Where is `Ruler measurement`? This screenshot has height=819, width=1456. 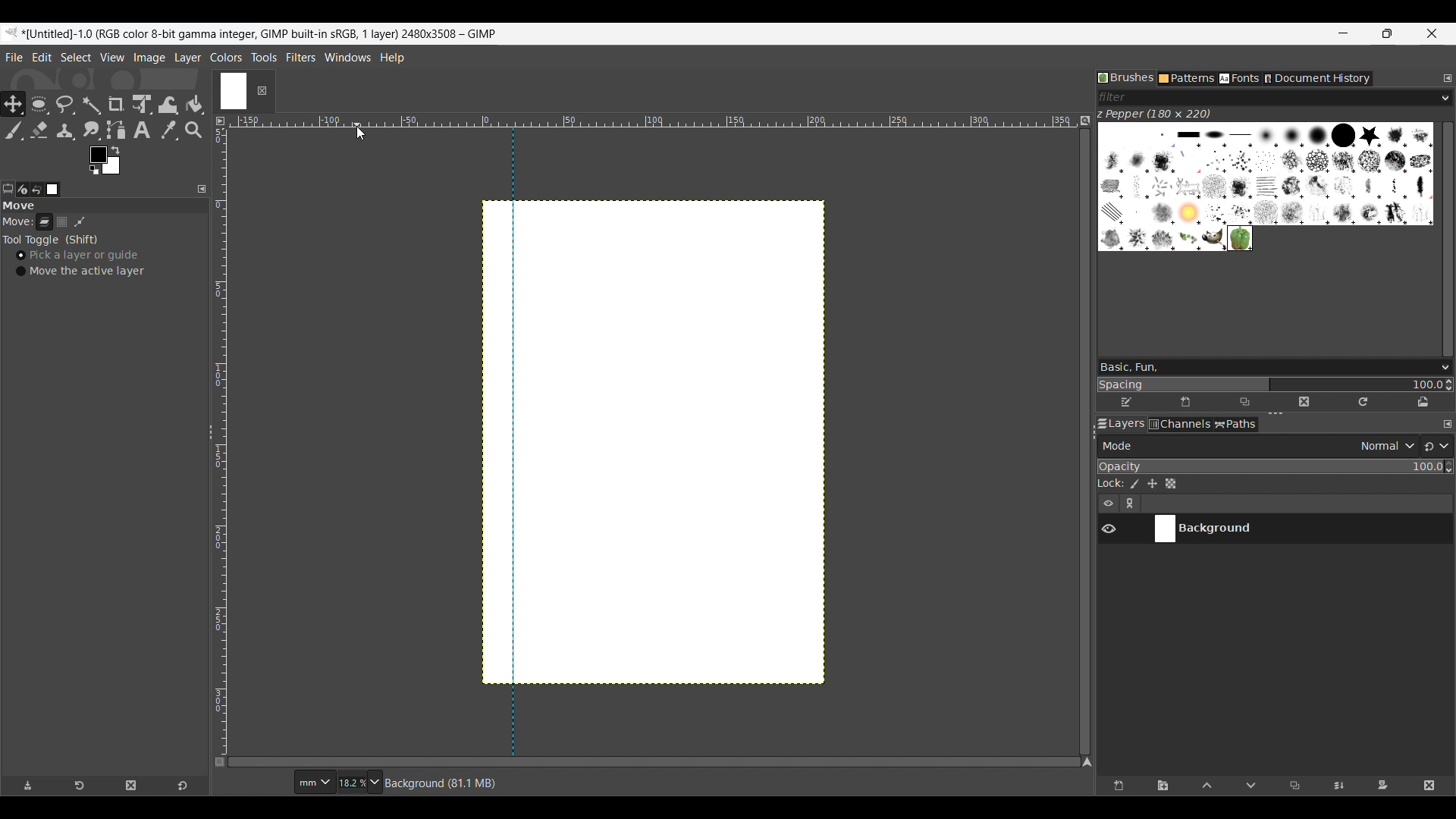
Ruler measurement is located at coordinates (313, 783).